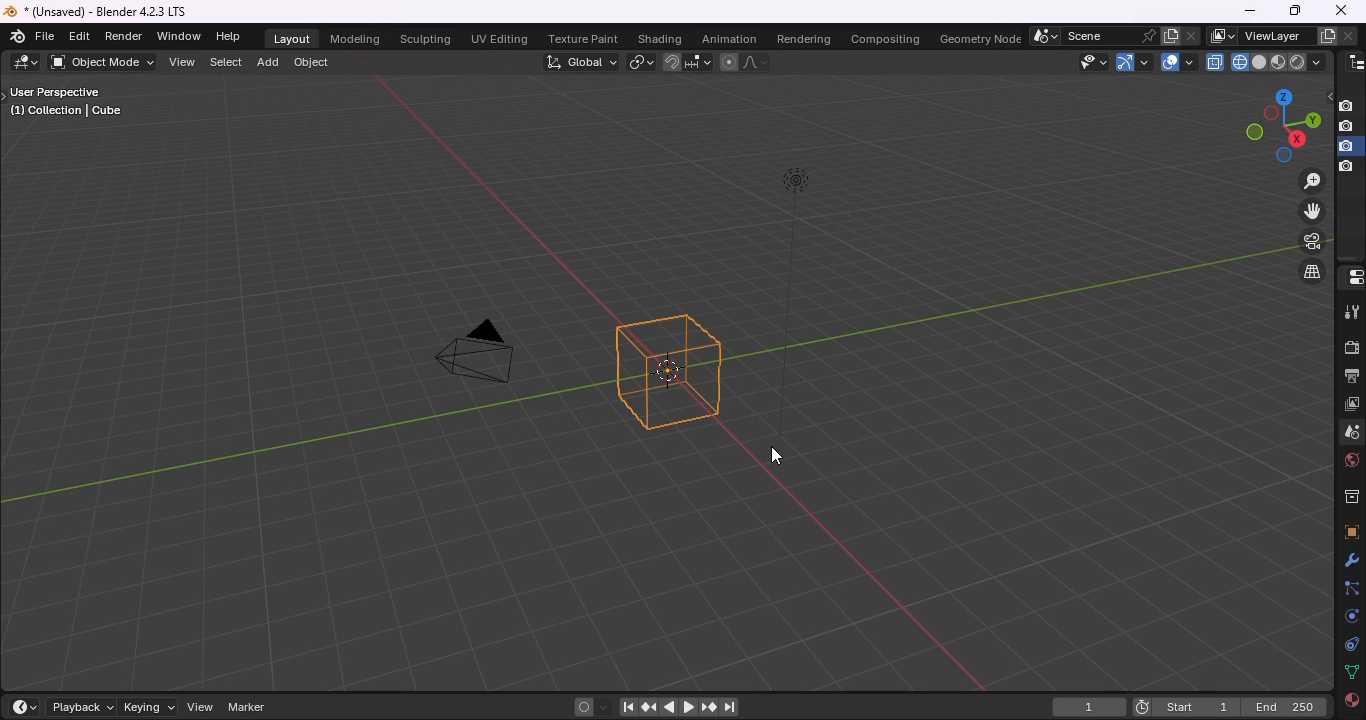  I want to click on material preview display, so click(1280, 62).